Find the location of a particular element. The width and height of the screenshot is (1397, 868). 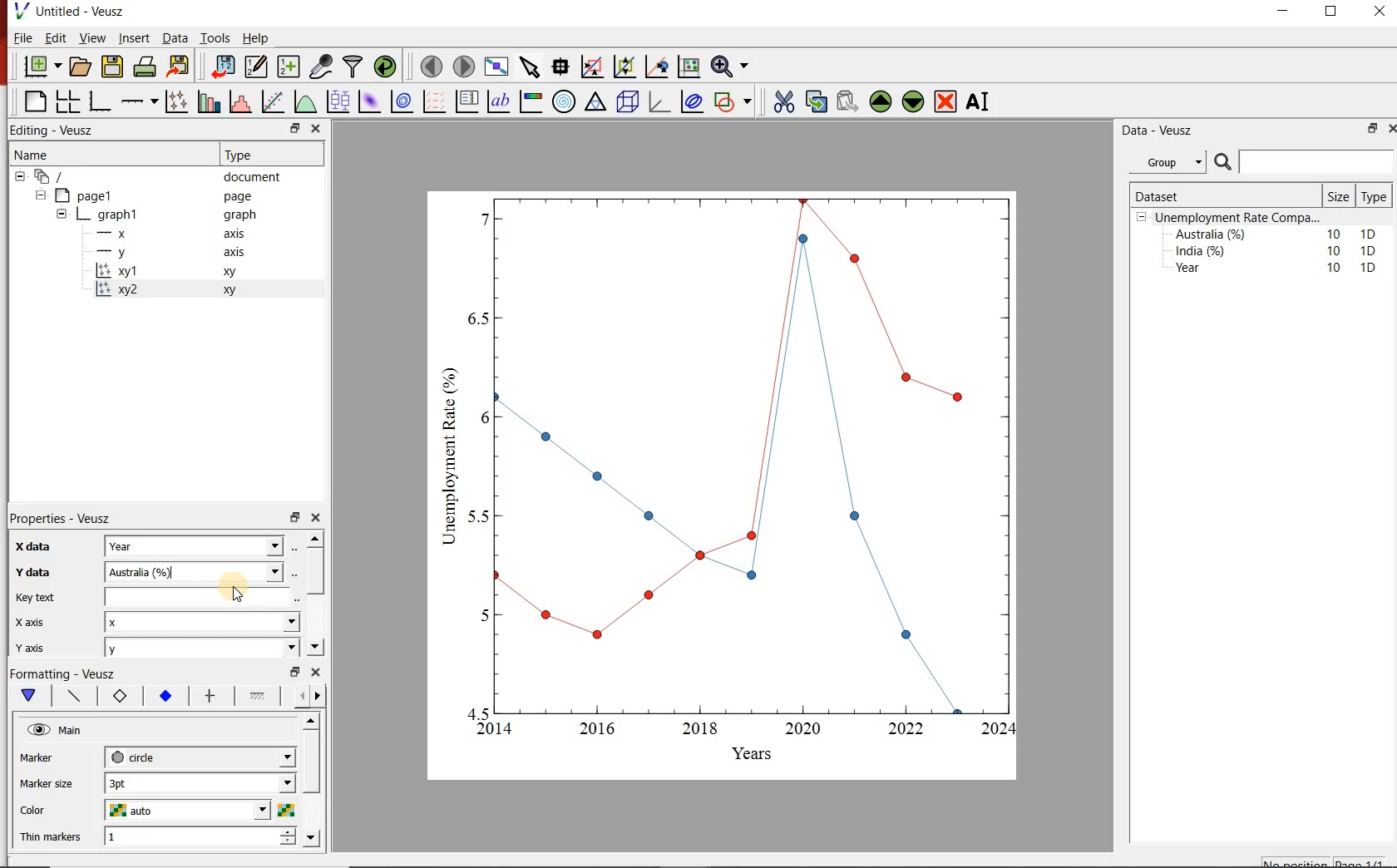

Type is located at coordinates (1373, 197).